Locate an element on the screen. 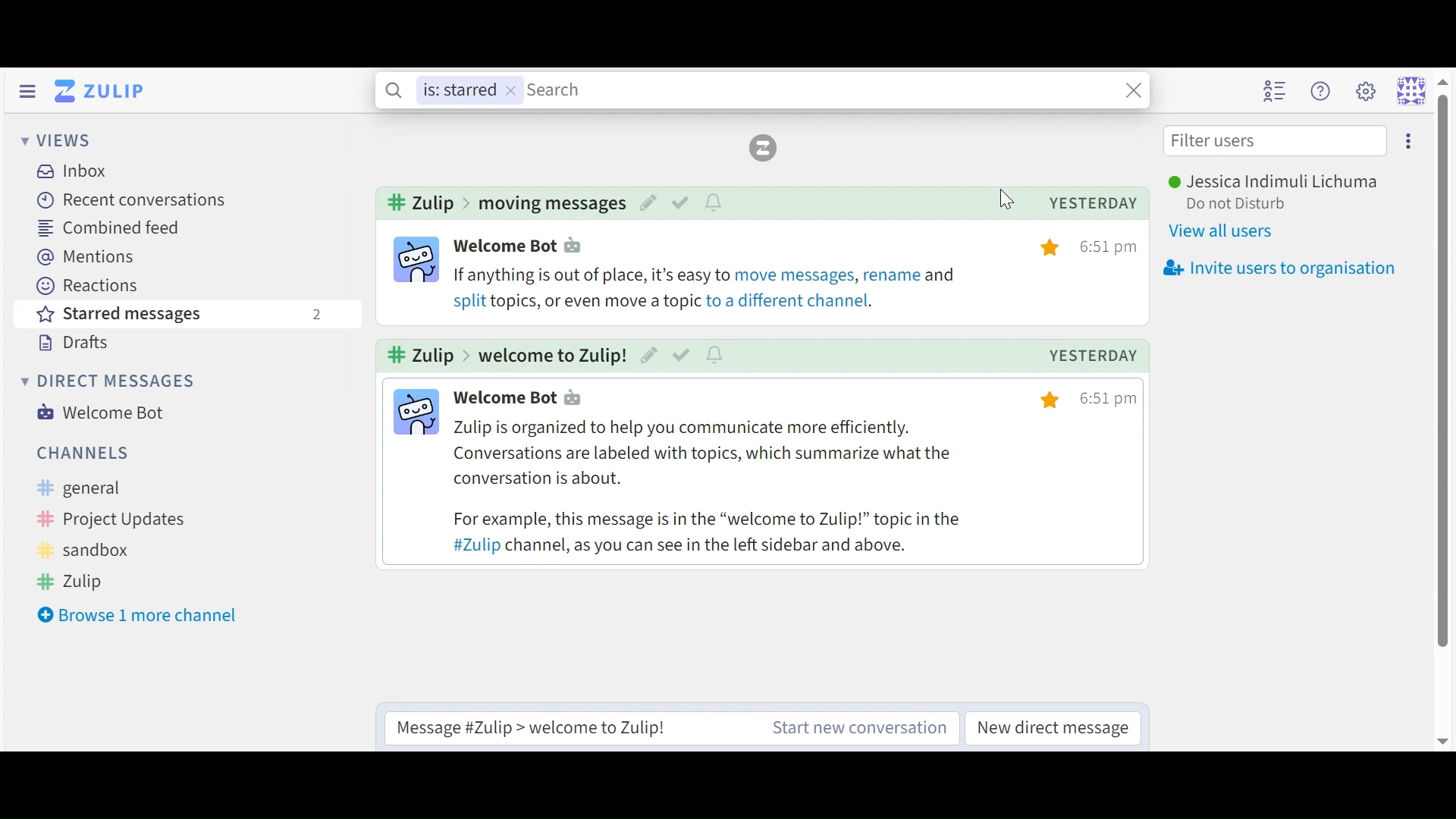 The height and width of the screenshot is (819, 1456). sandbox is located at coordinates (96, 550).